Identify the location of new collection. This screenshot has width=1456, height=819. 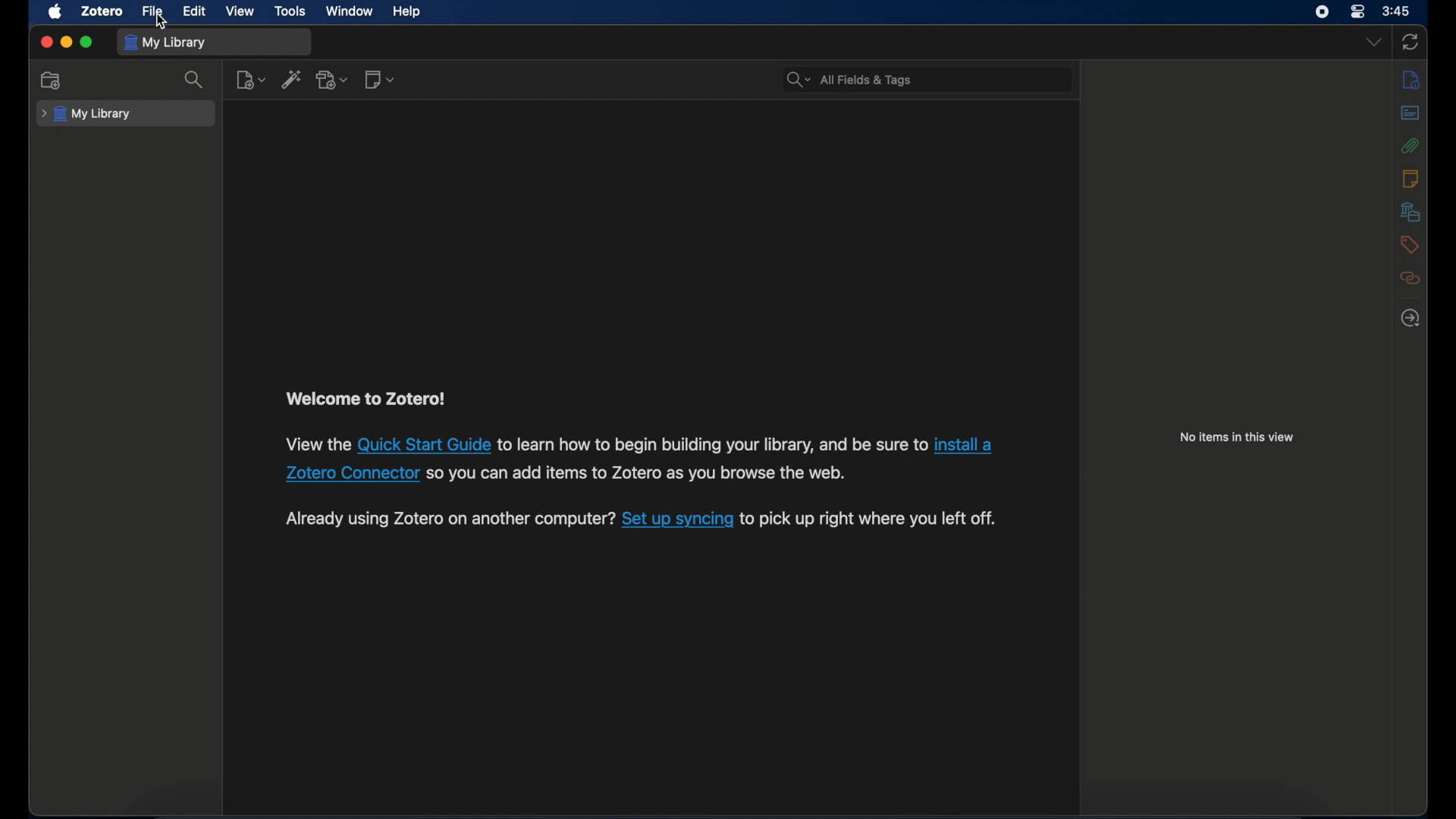
(52, 80).